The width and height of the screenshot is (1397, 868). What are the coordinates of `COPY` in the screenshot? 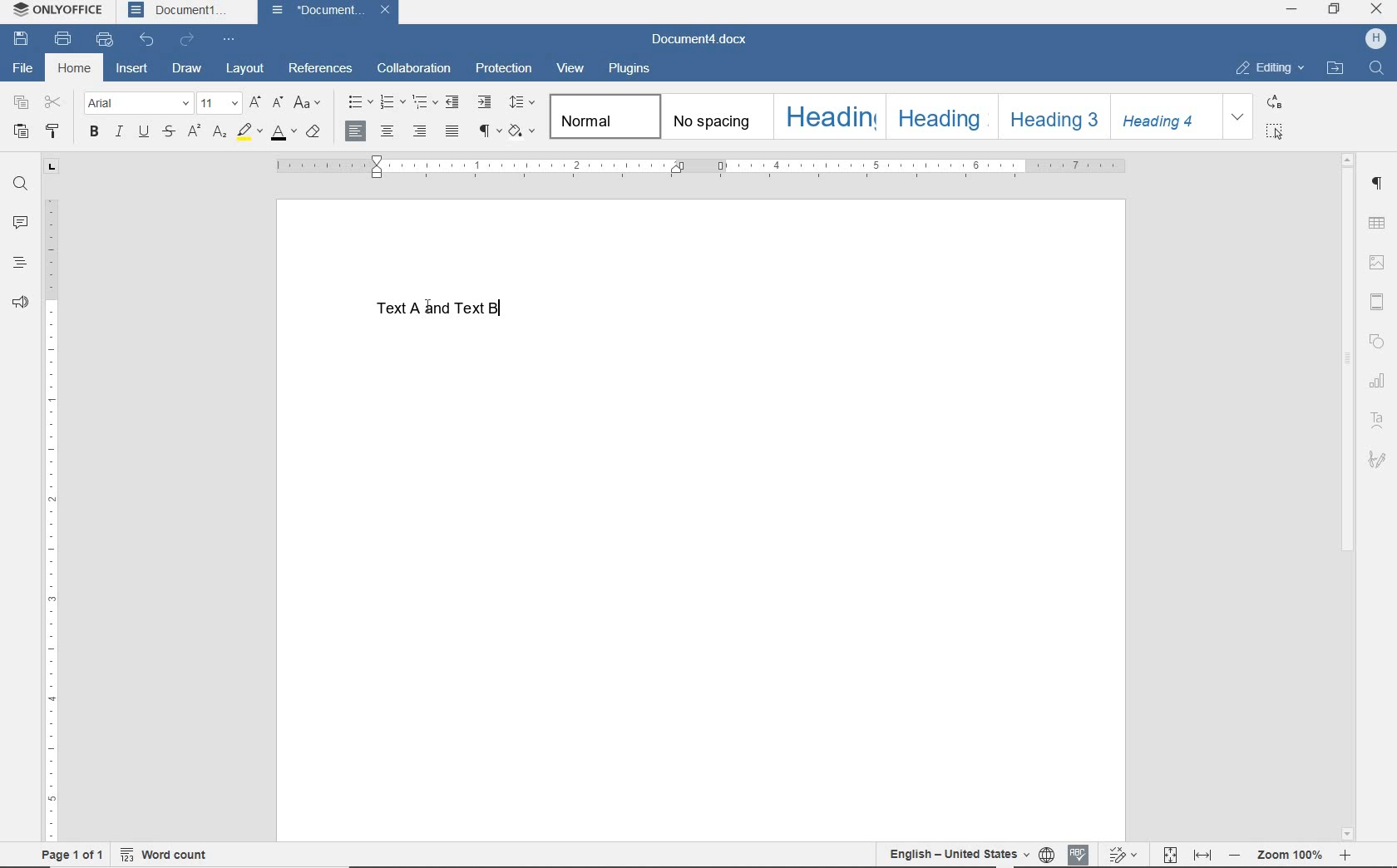 It's located at (21, 103).